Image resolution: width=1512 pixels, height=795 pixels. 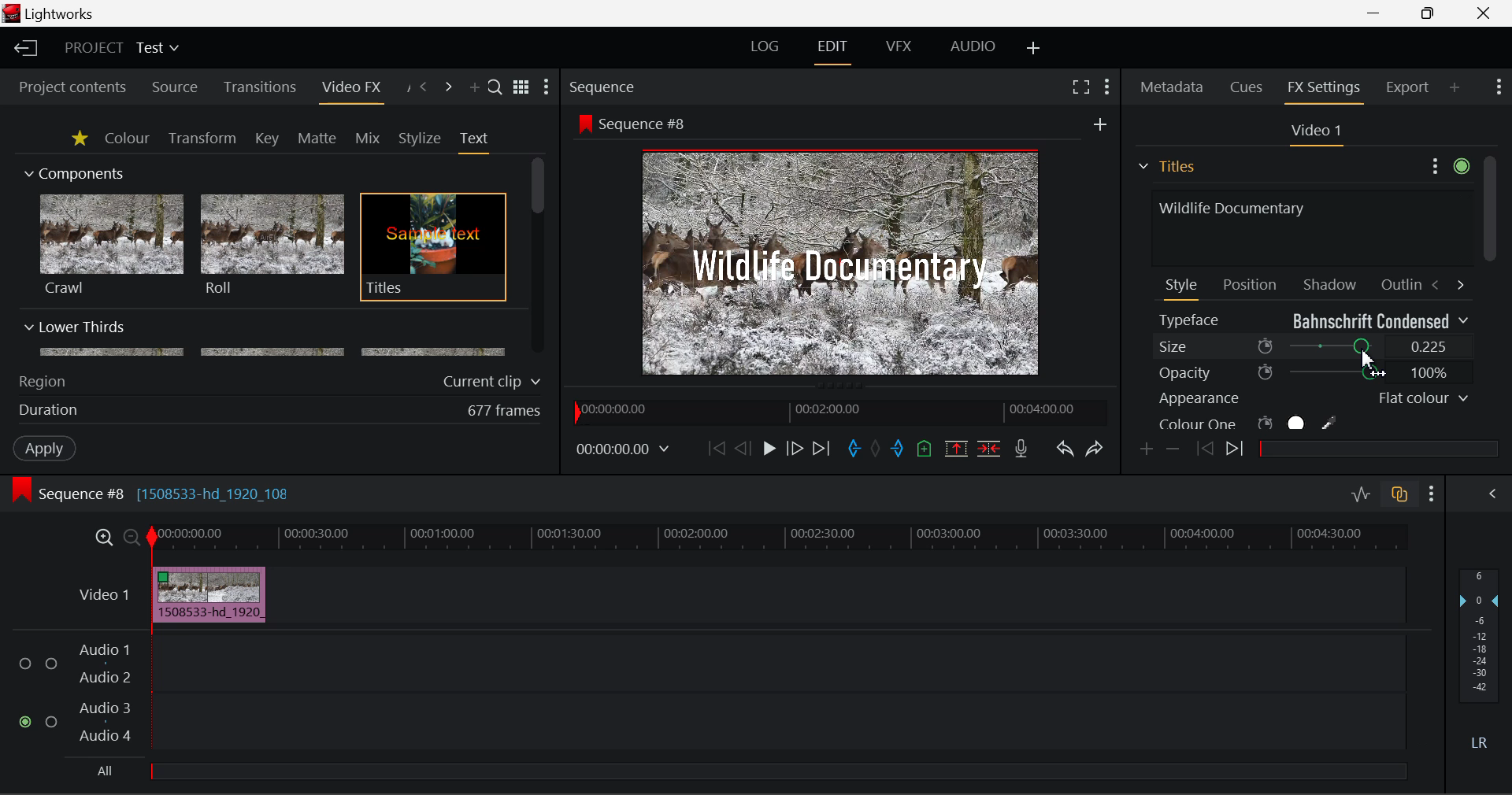 I want to click on Shadow, so click(x=1331, y=281).